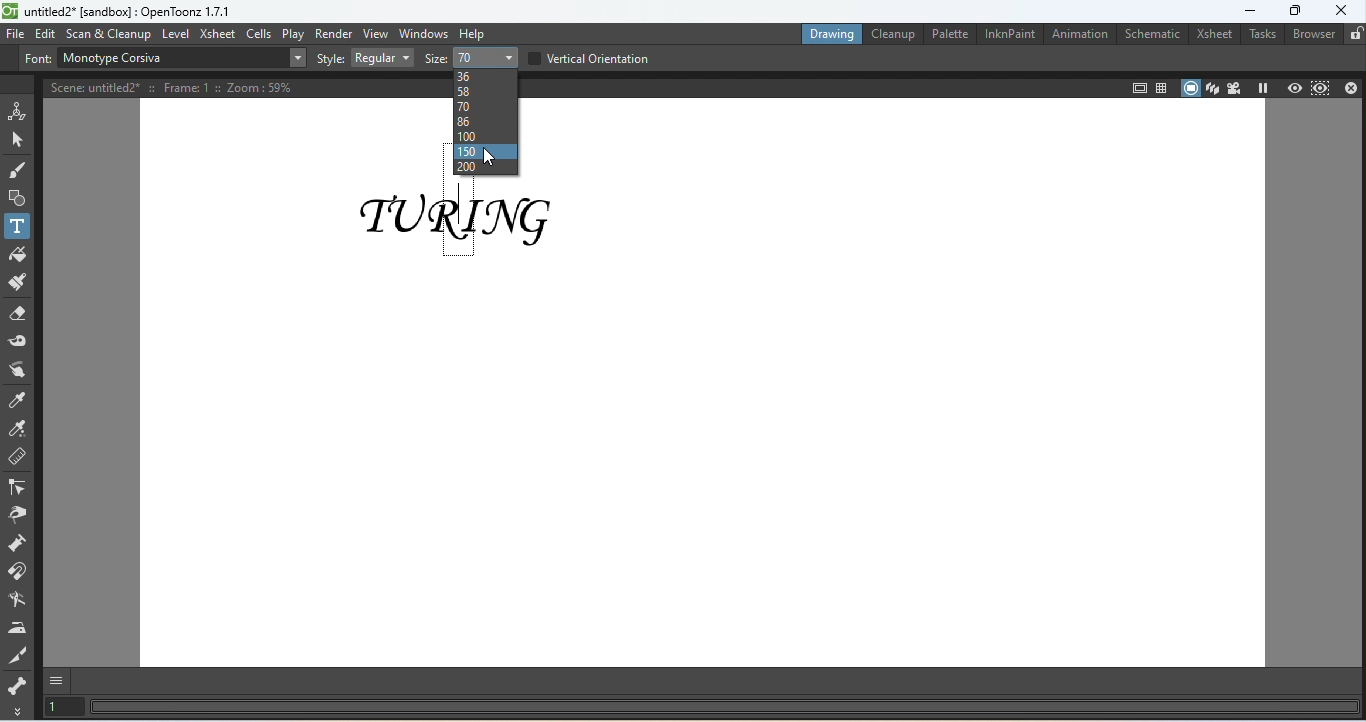 This screenshot has height=722, width=1366. What do you see at coordinates (1293, 87) in the screenshot?
I see `Preview` at bounding box center [1293, 87].